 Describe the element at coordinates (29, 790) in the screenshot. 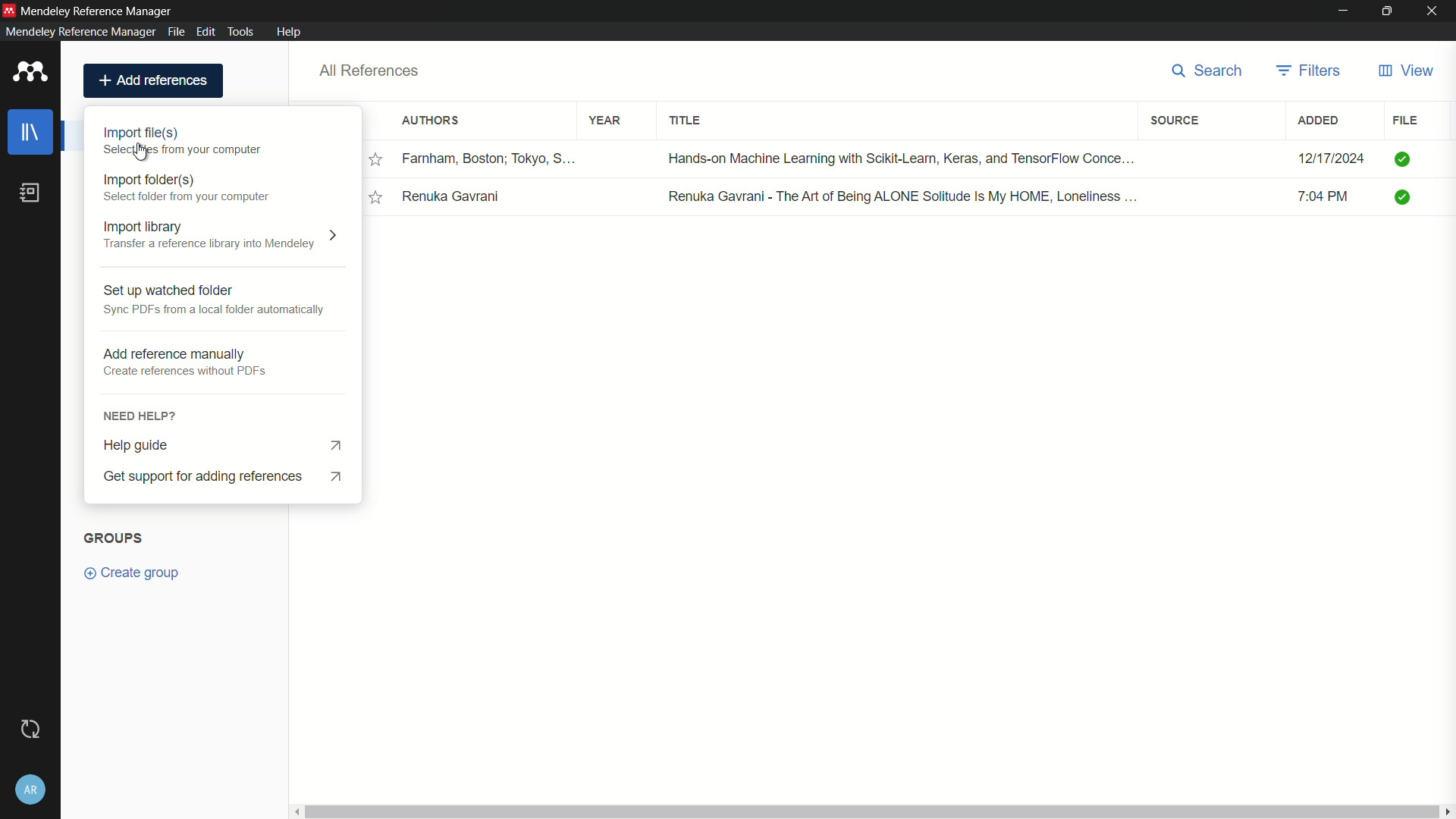

I see `account and settings` at that location.